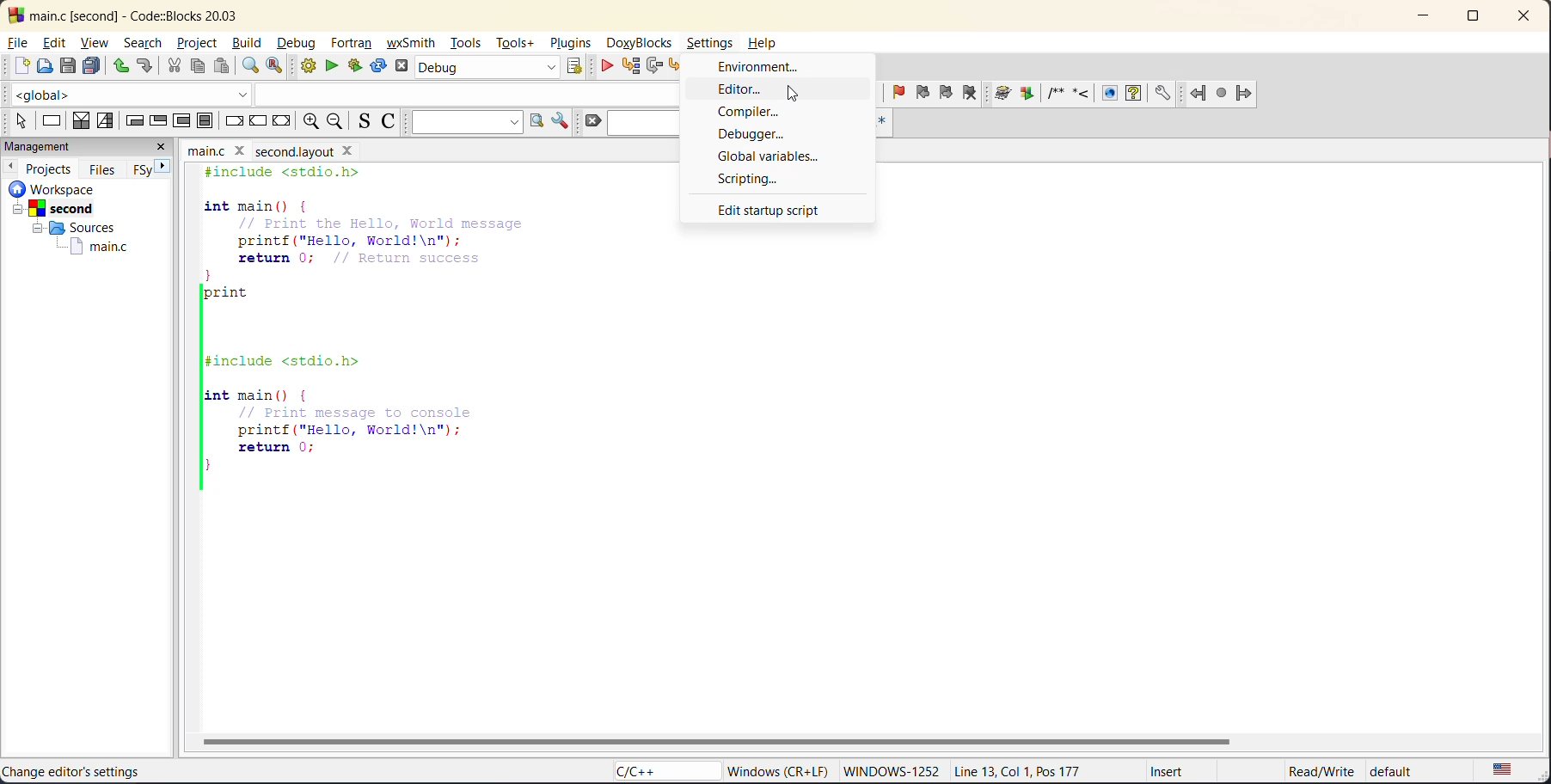  Describe the element at coordinates (152, 13) in the screenshot. I see `app name and file name` at that location.